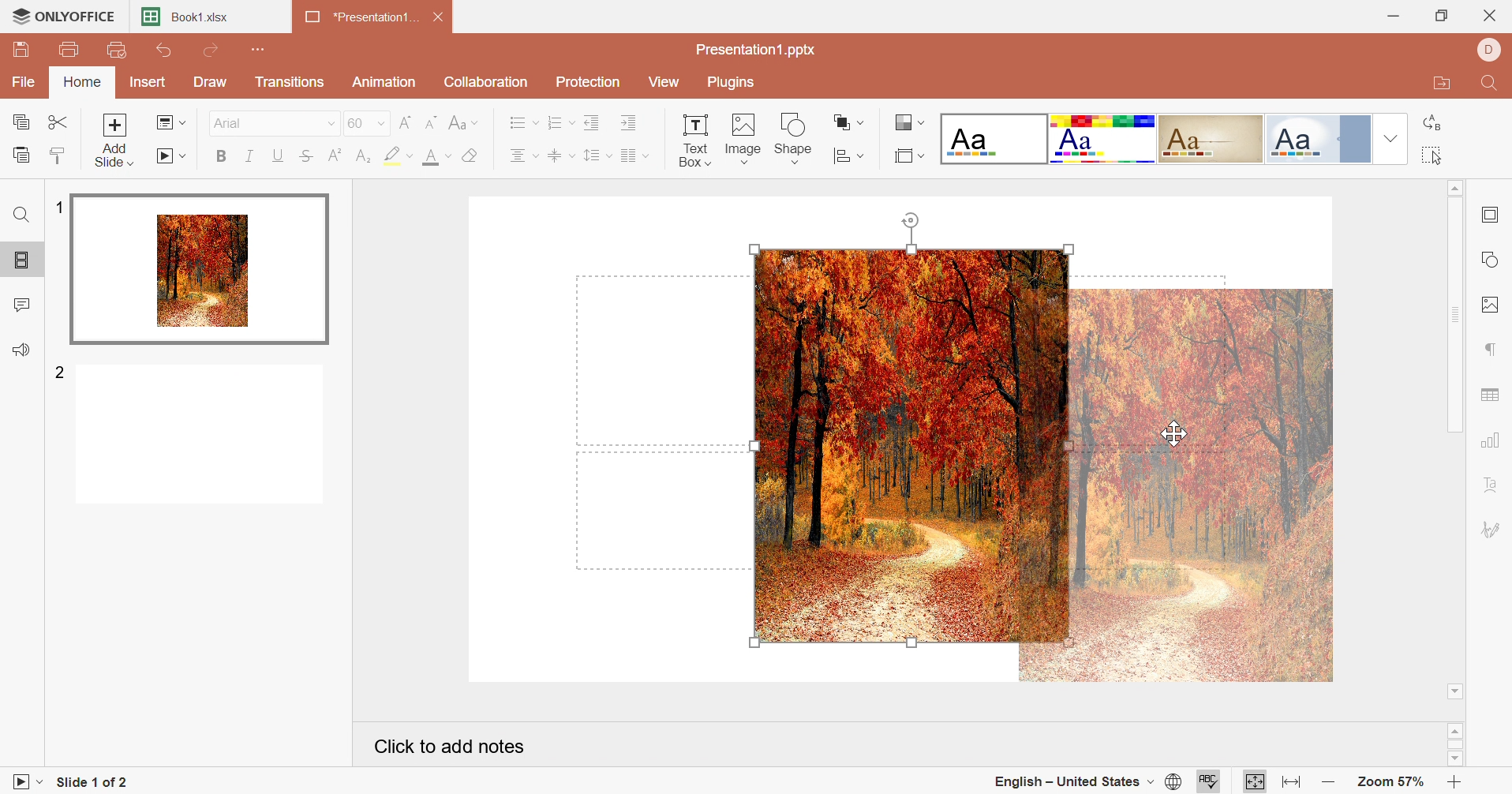 This screenshot has height=794, width=1512. What do you see at coordinates (1455, 440) in the screenshot?
I see `Scroll Bar` at bounding box center [1455, 440].